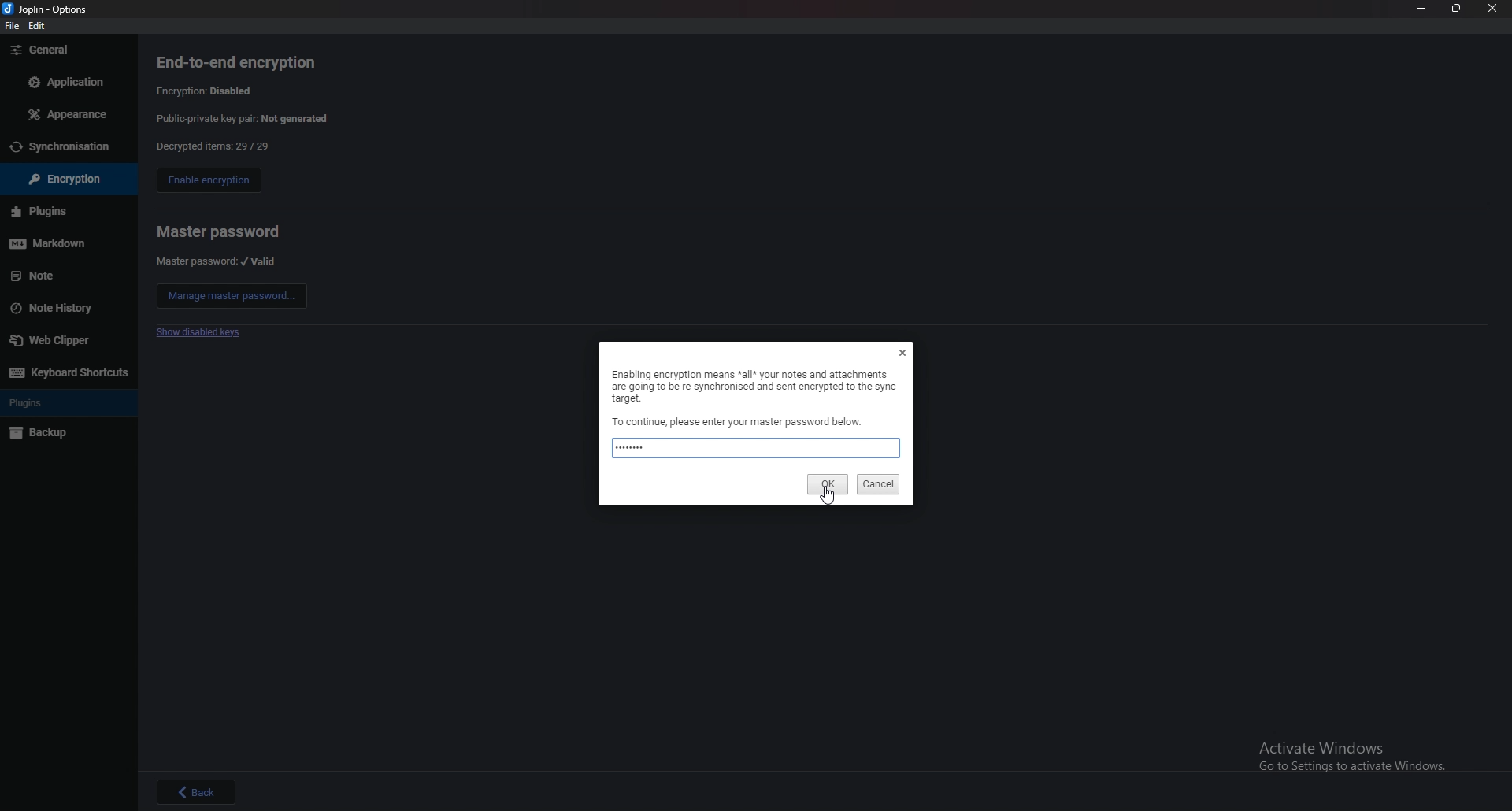  I want to click on master password valid, so click(218, 261).